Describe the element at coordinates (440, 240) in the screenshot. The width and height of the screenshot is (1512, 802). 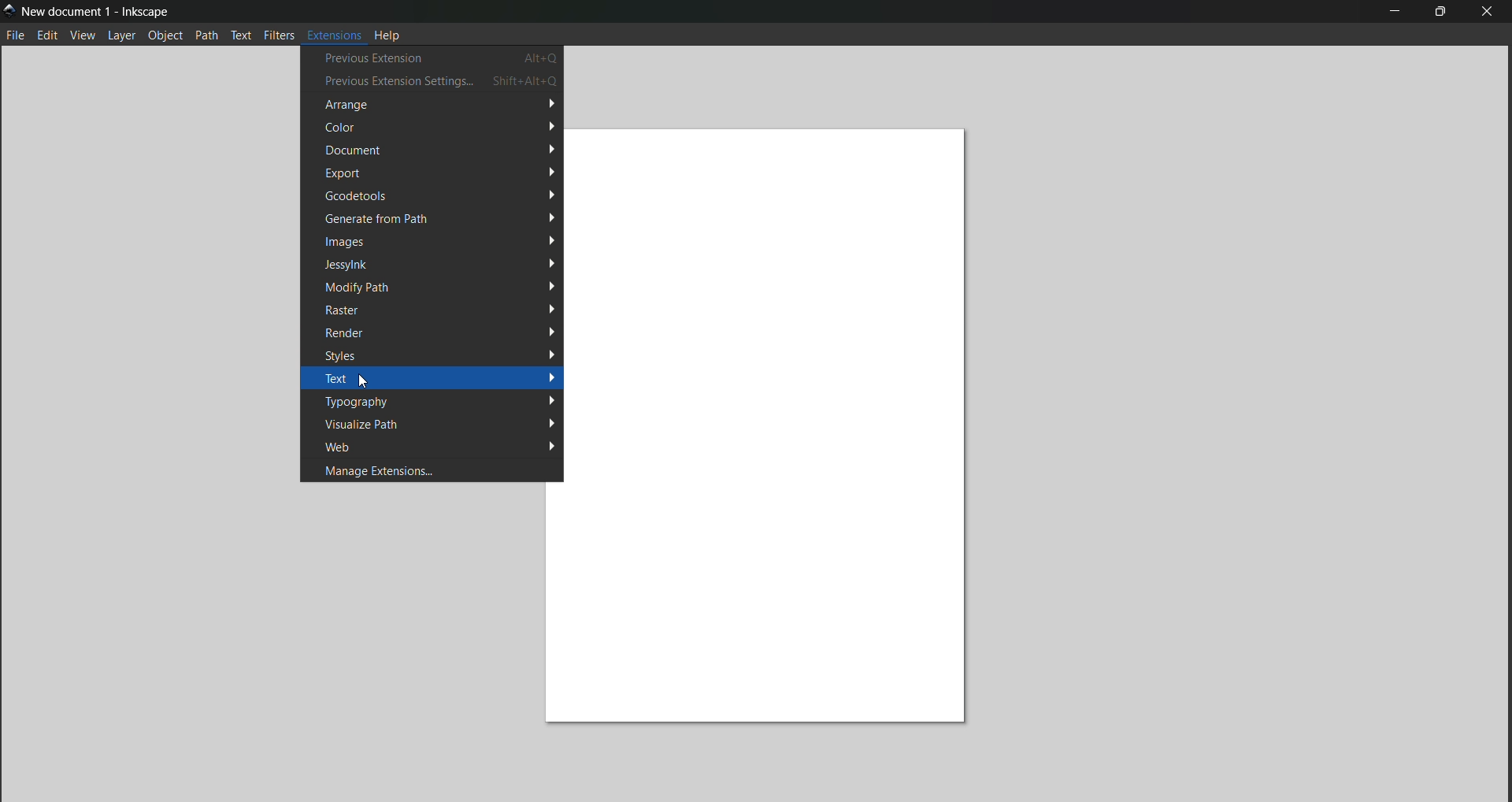
I see `images` at that location.